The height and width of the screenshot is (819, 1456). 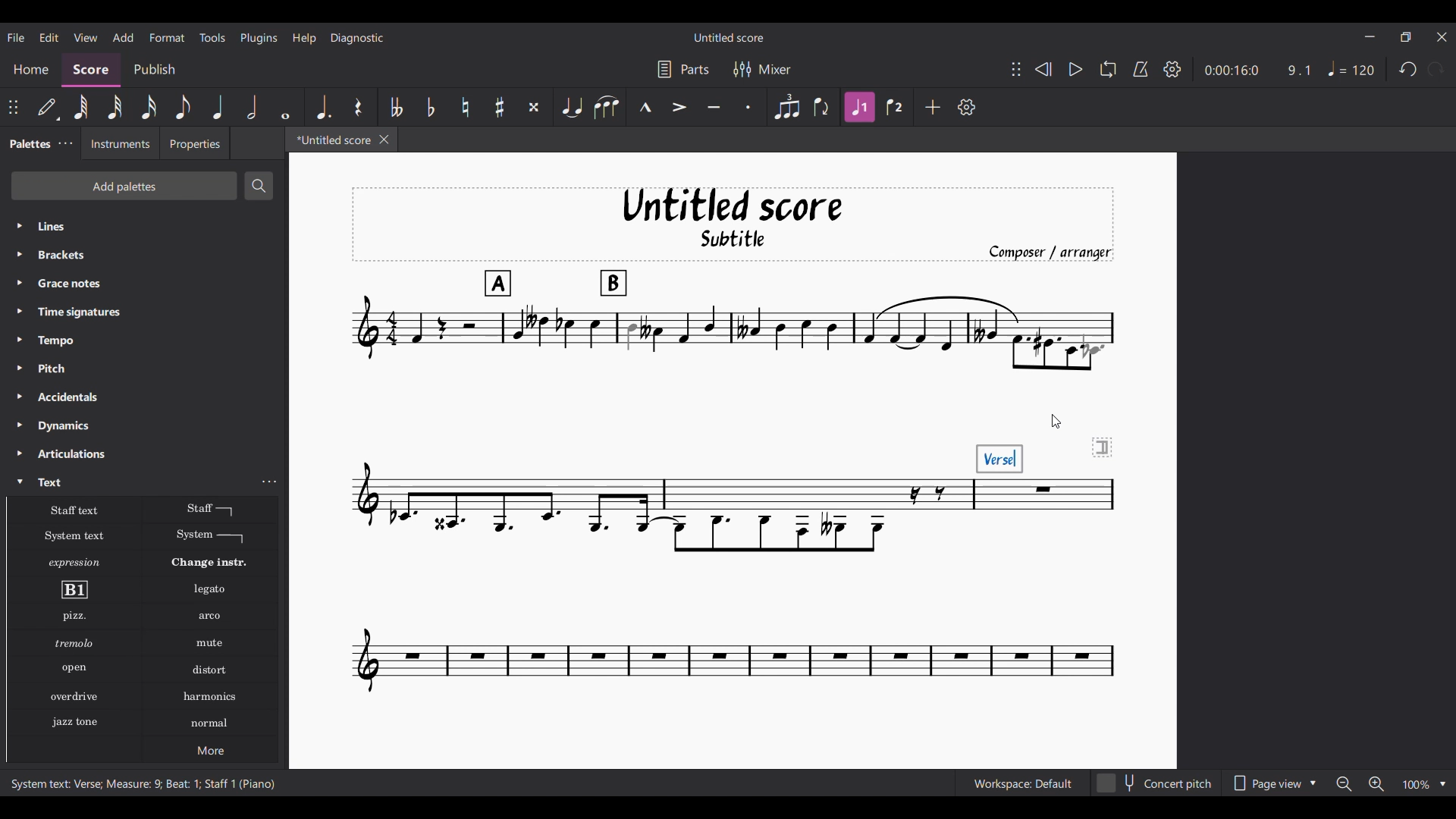 What do you see at coordinates (384, 140) in the screenshot?
I see `Close tab` at bounding box center [384, 140].